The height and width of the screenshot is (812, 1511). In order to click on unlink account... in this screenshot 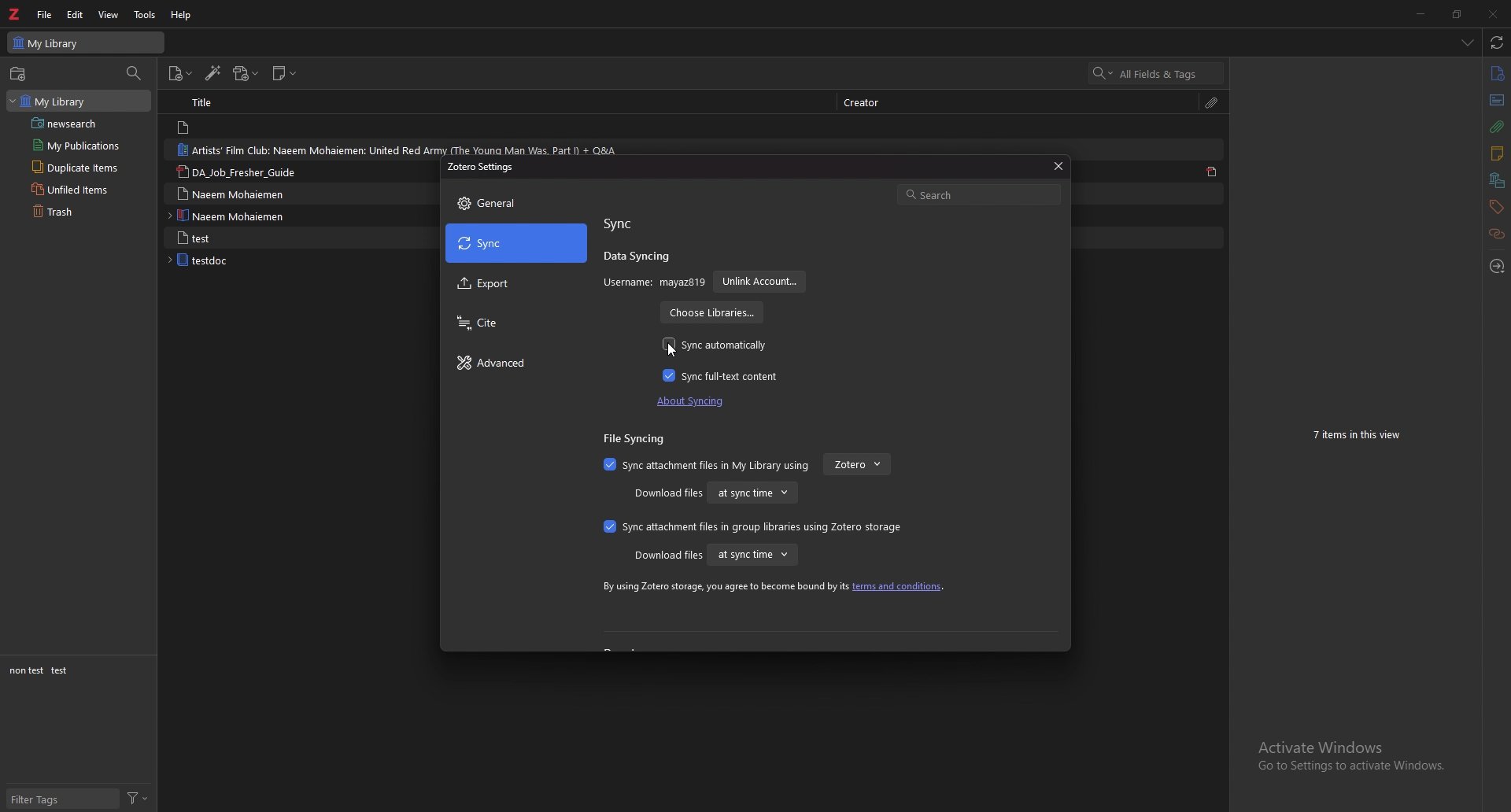, I will do `click(759, 282)`.